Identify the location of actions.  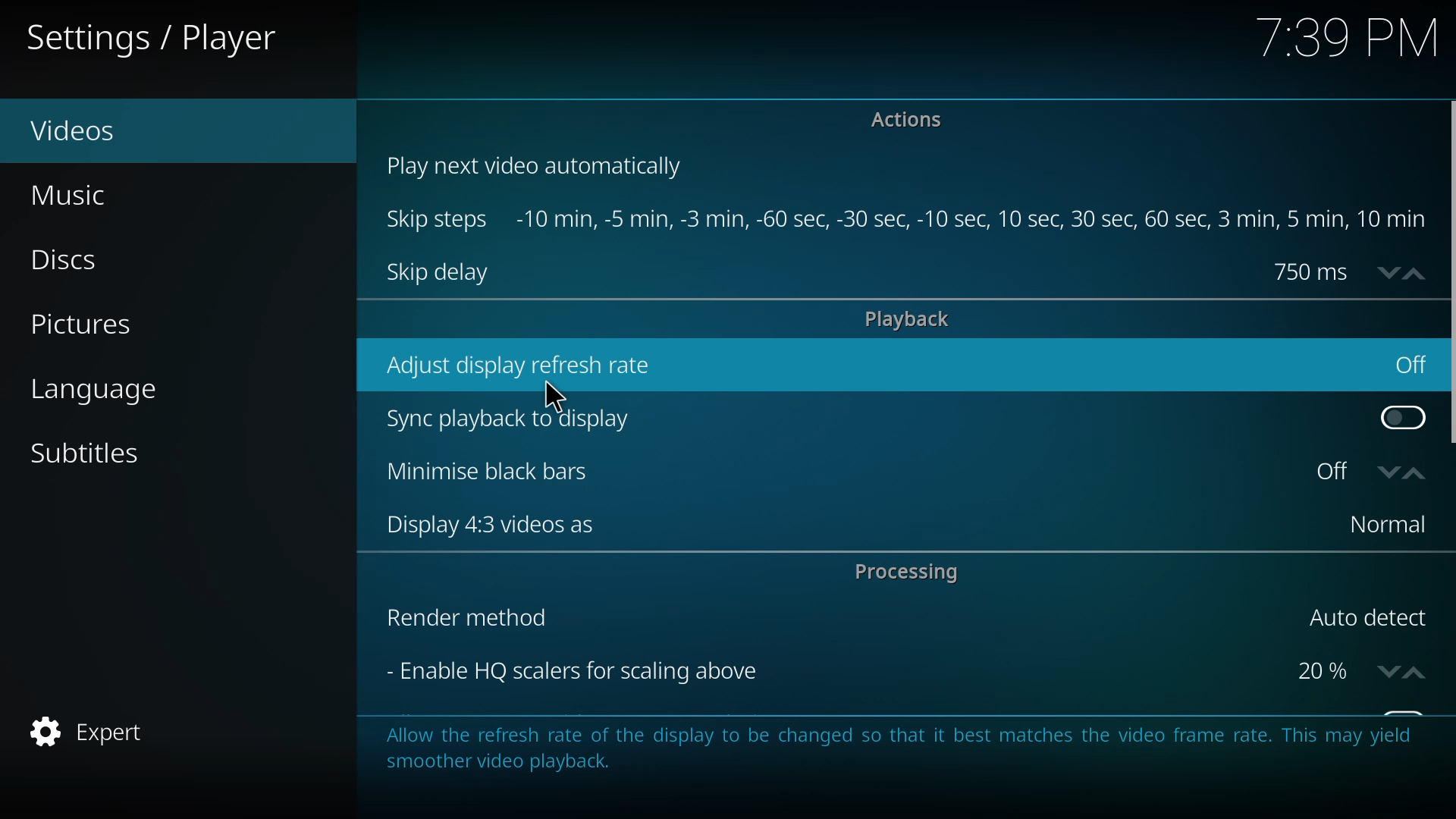
(913, 123).